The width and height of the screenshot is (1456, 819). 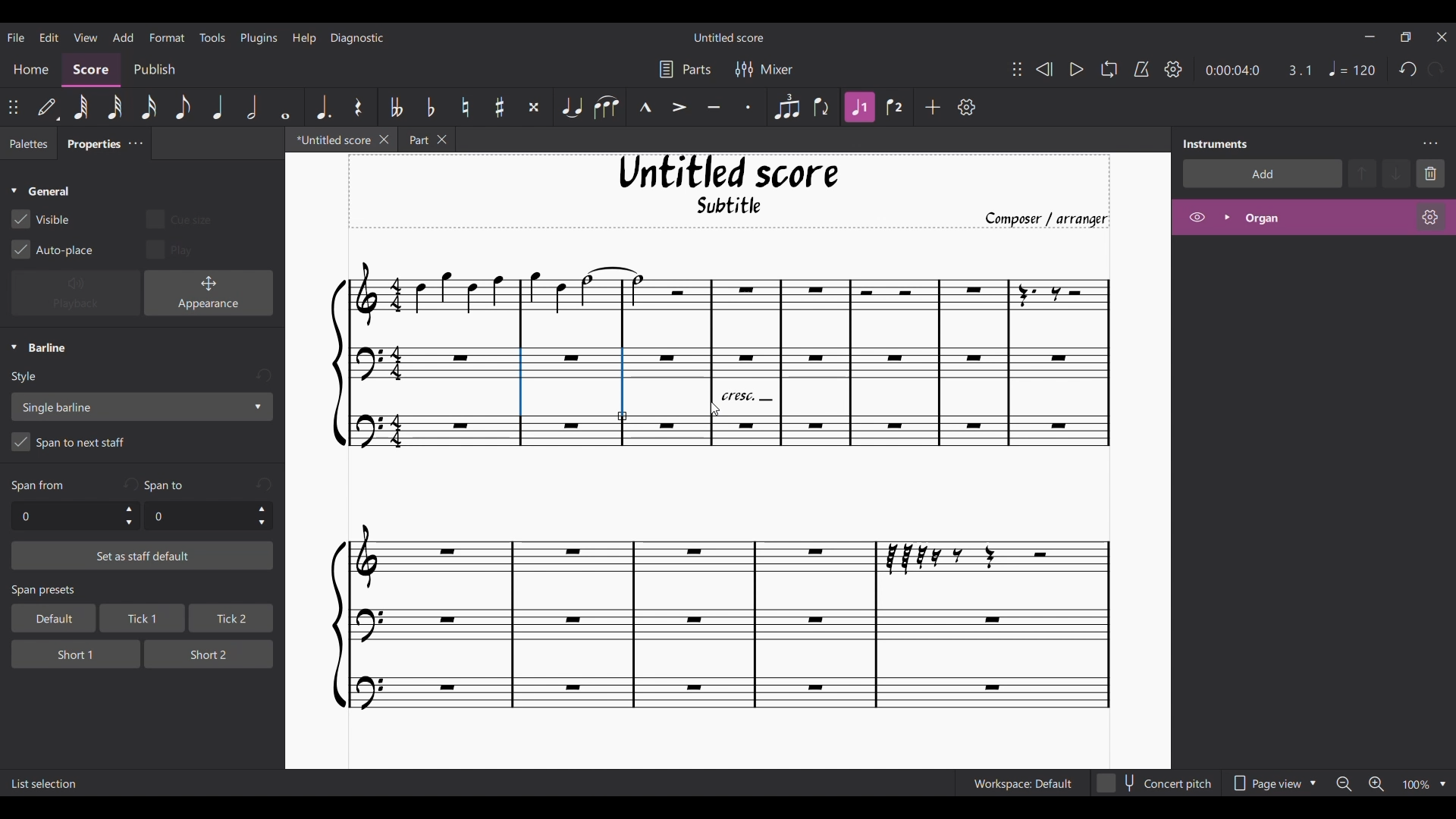 What do you see at coordinates (1216, 143) in the screenshot?
I see `Panel title` at bounding box center [1216, 143].